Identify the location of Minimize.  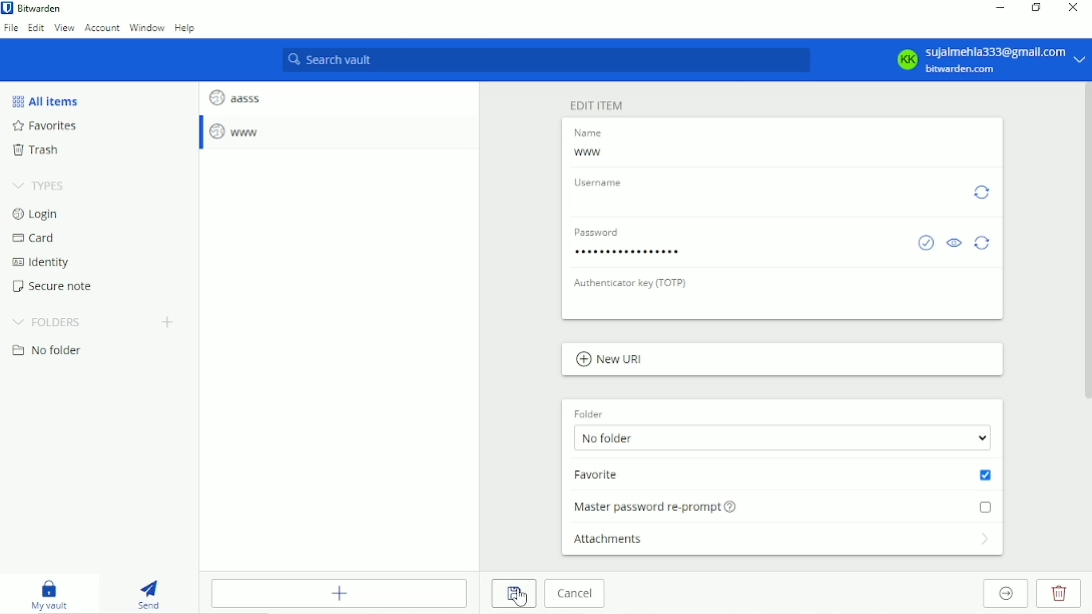
(1003, 7).